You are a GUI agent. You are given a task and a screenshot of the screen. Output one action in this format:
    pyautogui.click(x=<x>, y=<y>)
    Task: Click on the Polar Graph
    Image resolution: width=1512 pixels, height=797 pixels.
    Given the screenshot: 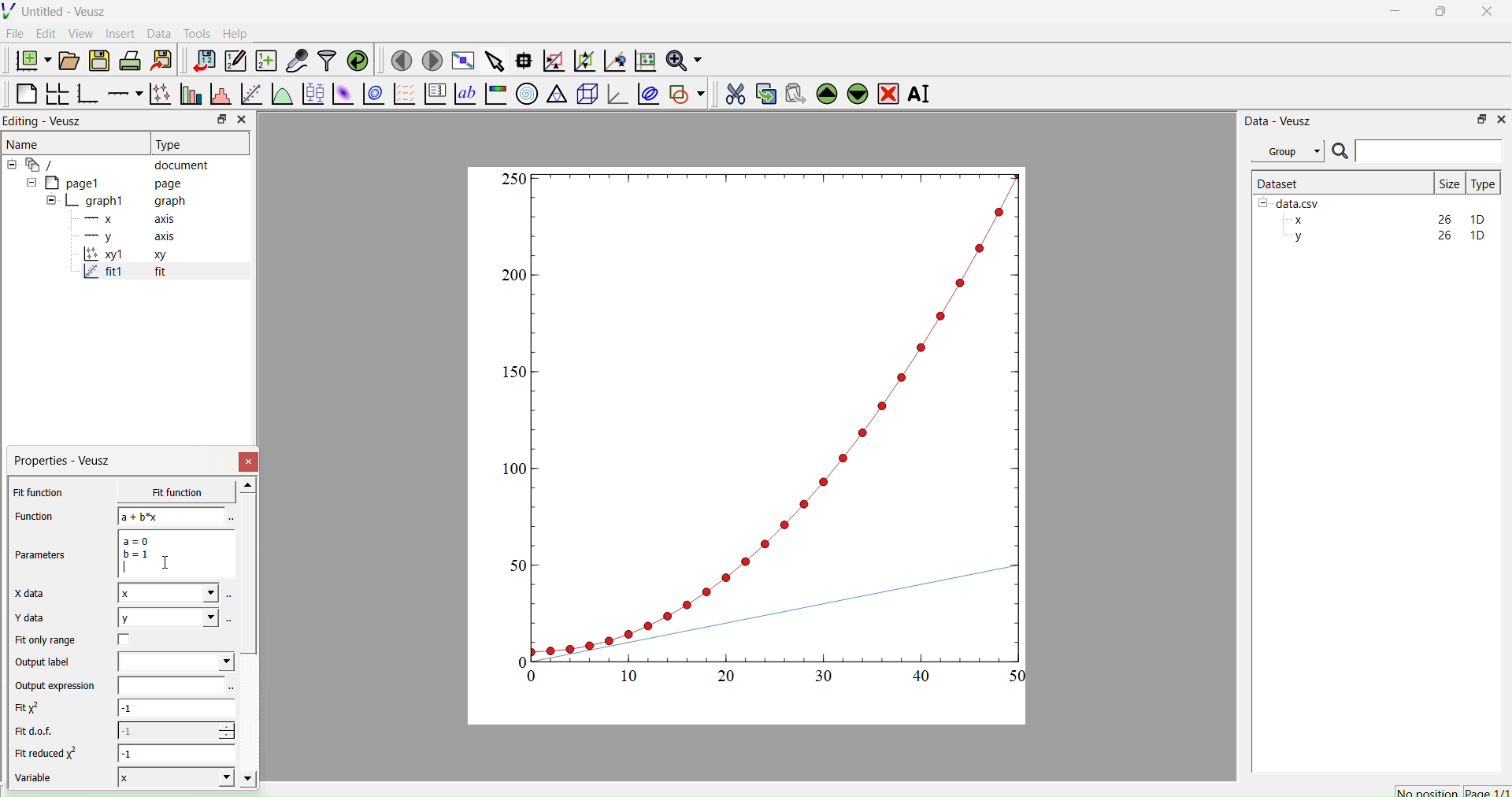 What is the action you would take?
    pyautogui.click(x=527, y=94)
    